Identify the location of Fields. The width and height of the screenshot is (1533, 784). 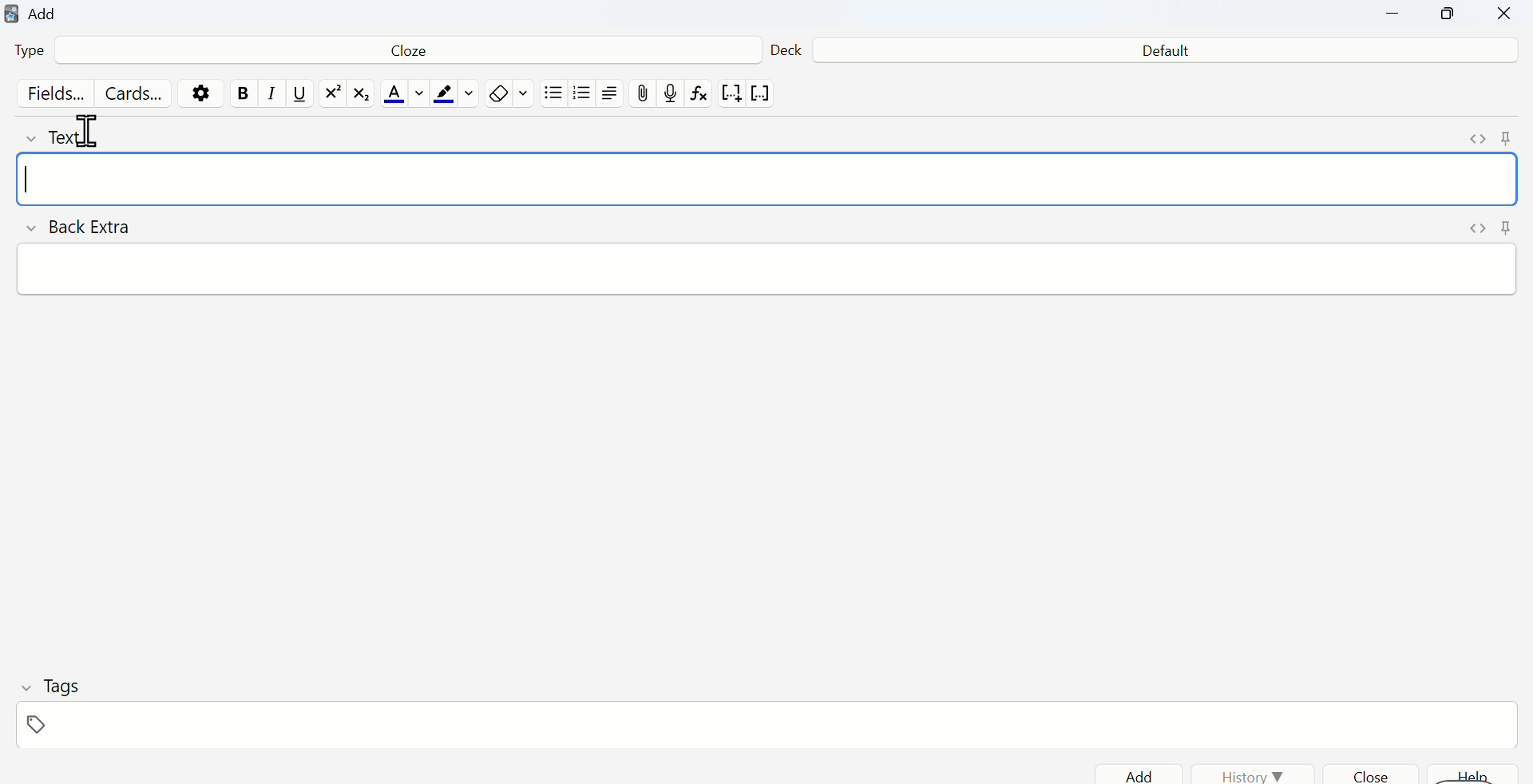
(52, 95).